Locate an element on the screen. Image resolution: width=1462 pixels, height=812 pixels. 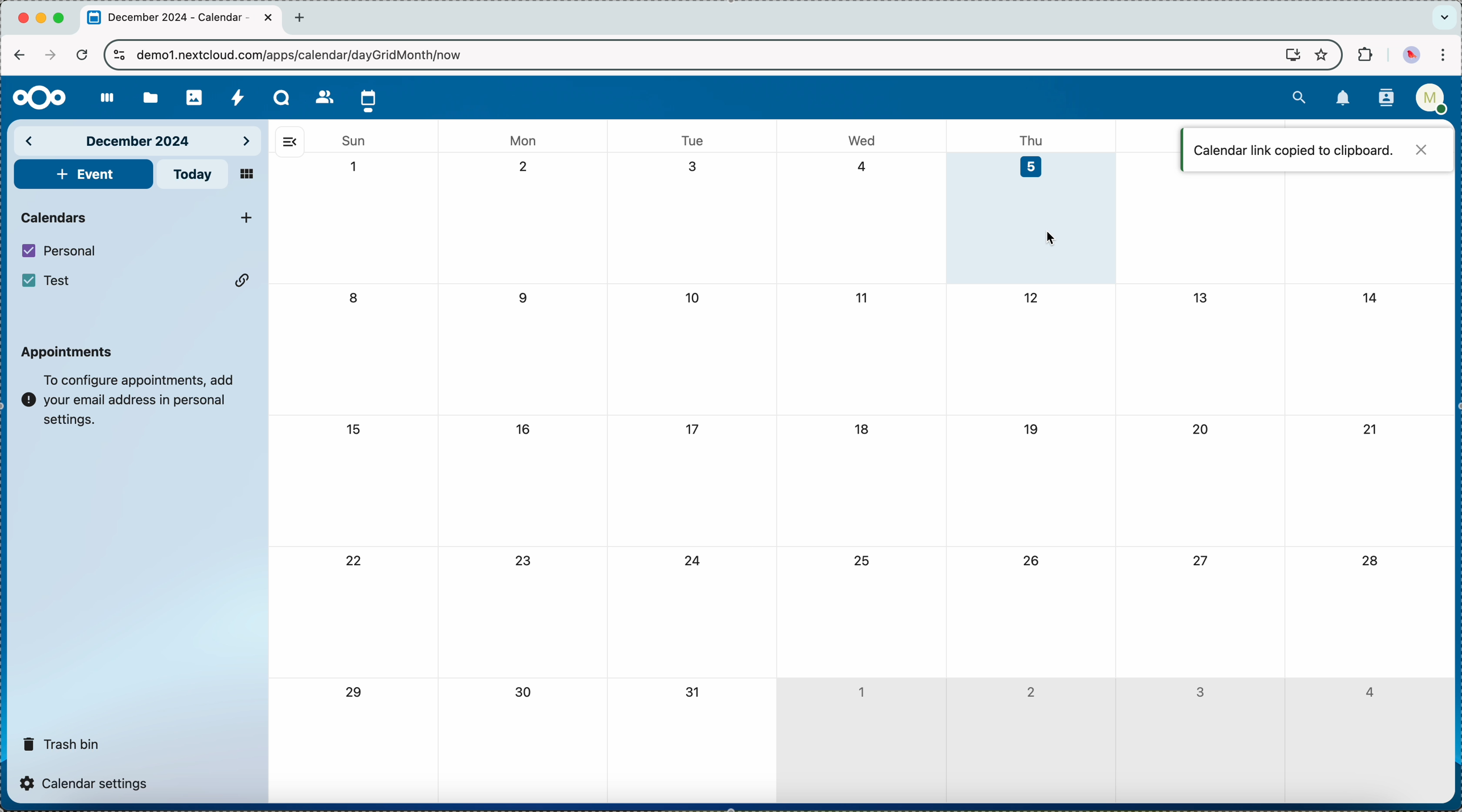
URL is located at coordinates (309, 54).